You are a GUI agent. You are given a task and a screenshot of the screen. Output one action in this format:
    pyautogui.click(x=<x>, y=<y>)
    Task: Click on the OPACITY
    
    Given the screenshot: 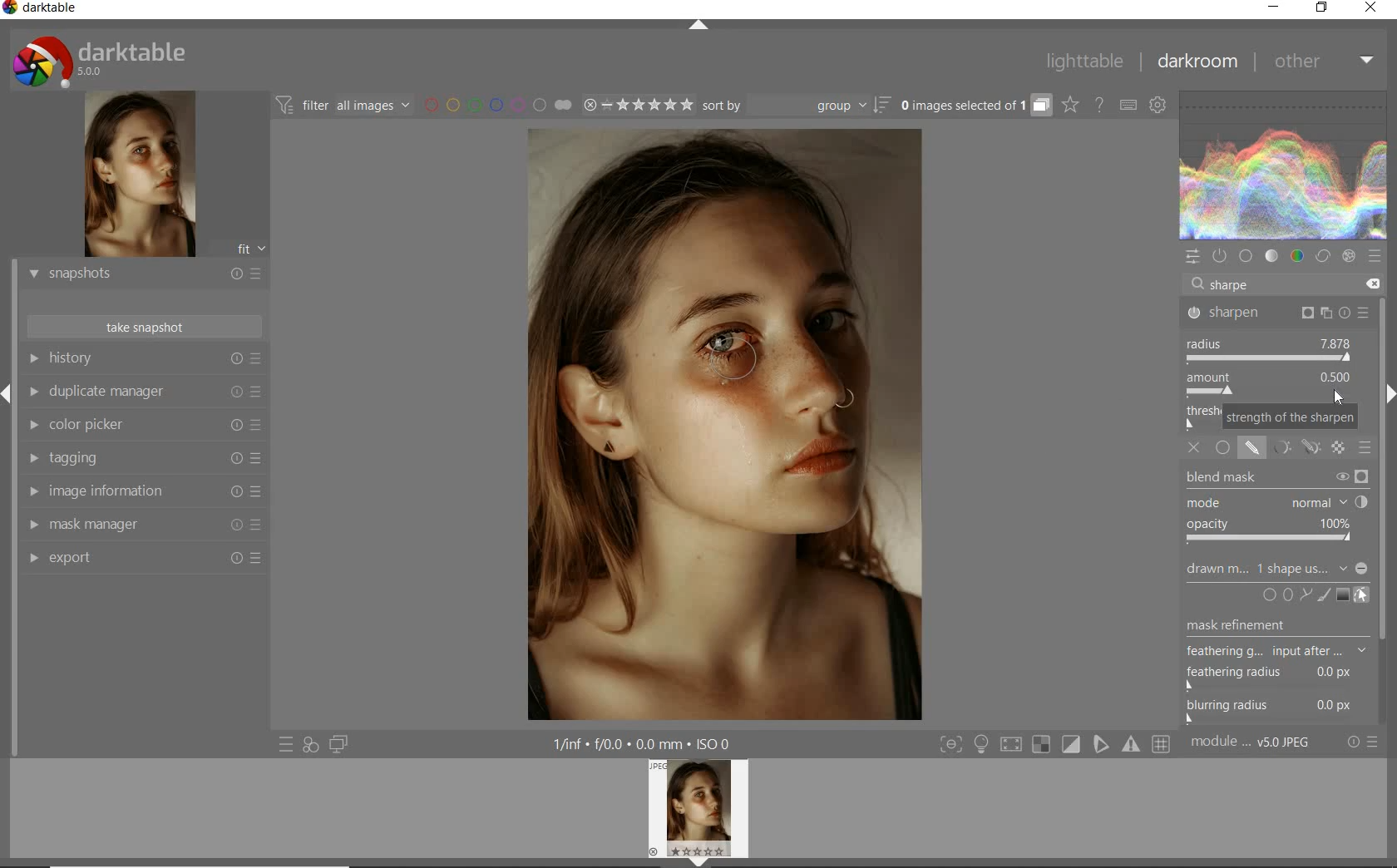 What is the action you would take?
    pyautogui.click(x=1272, y=532)
    